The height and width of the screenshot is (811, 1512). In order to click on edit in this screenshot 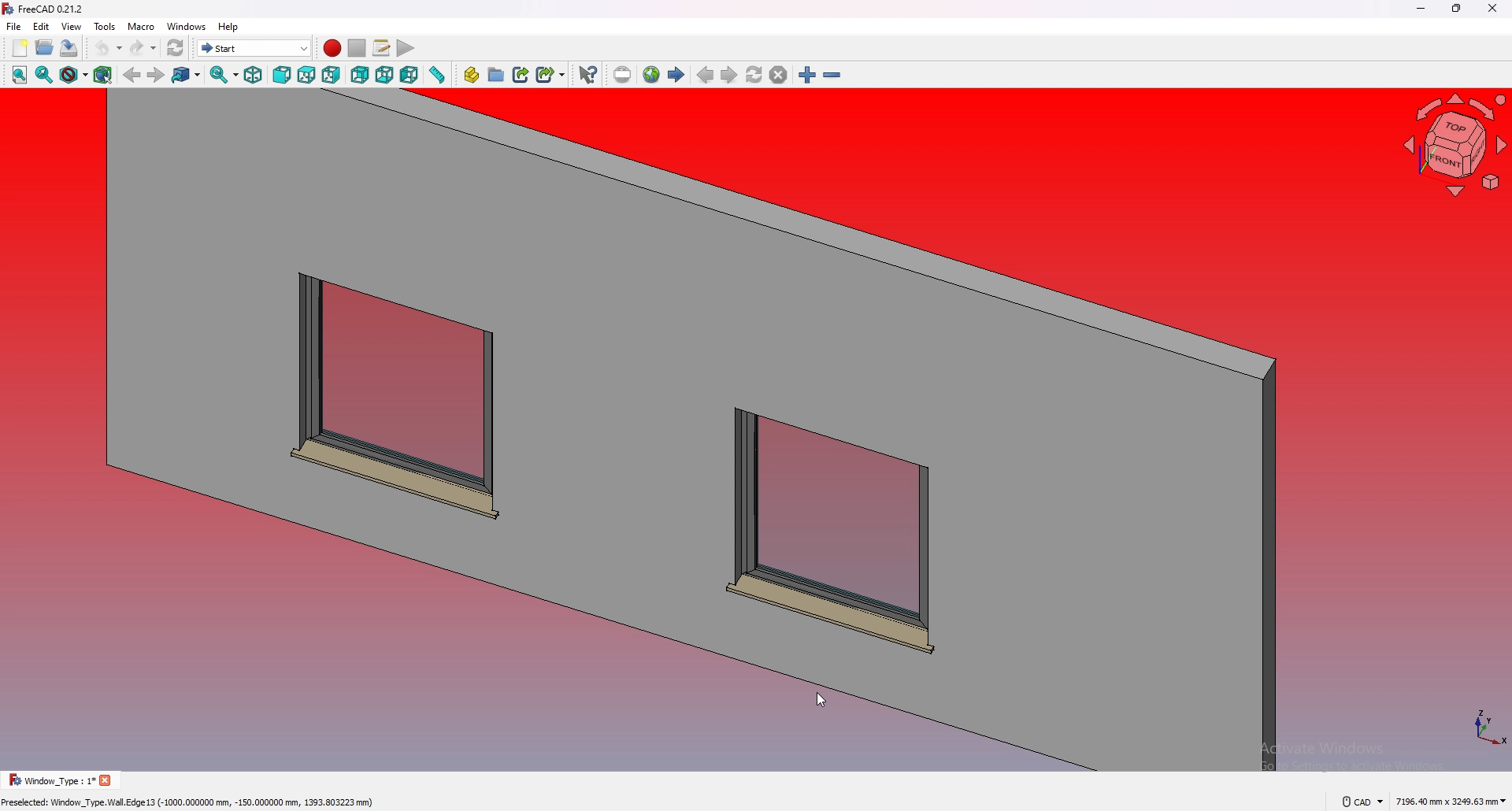, I will do `click(42, 26)`.